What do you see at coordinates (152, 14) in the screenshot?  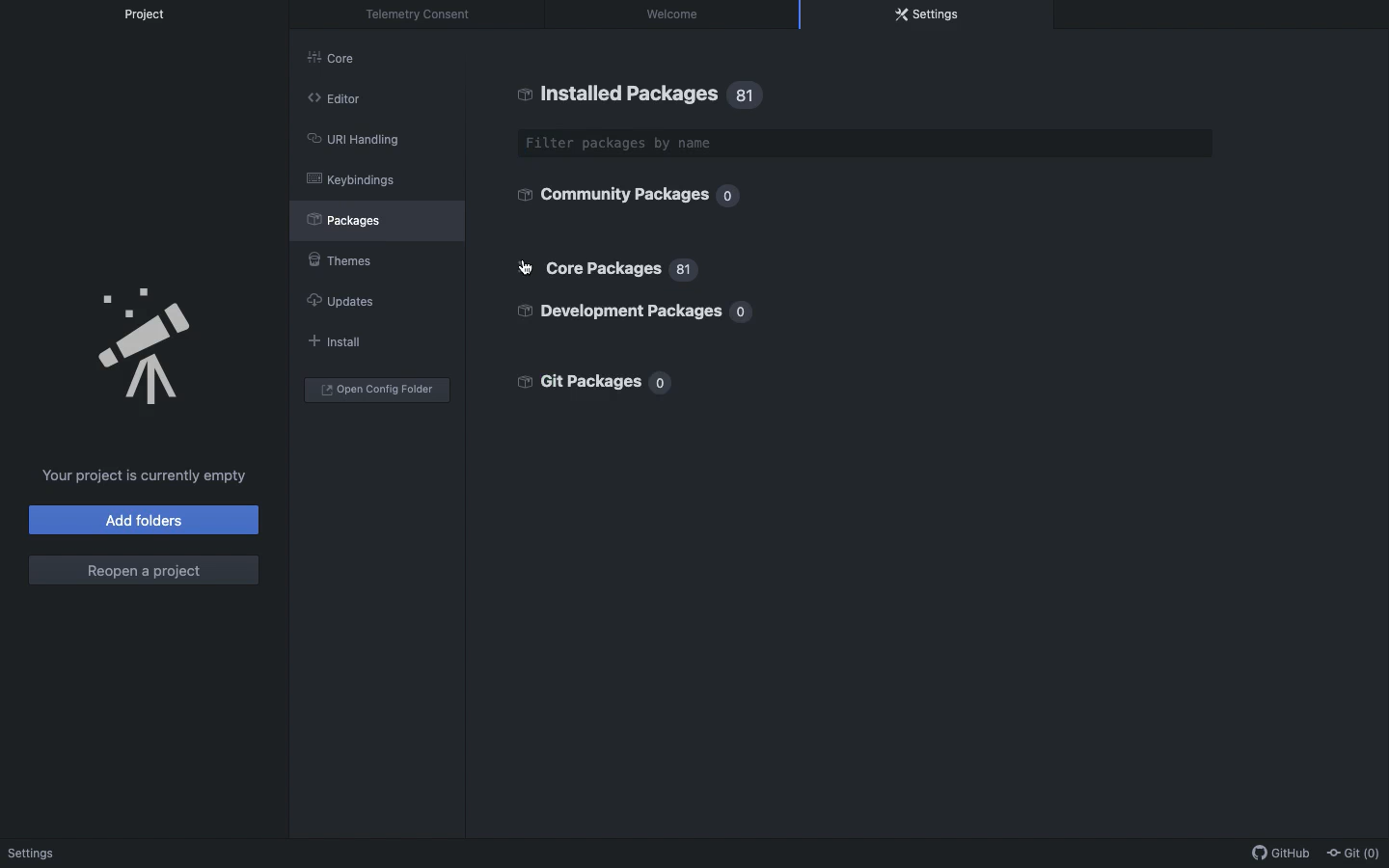 I see `project ` at bounding box center [152, 14].